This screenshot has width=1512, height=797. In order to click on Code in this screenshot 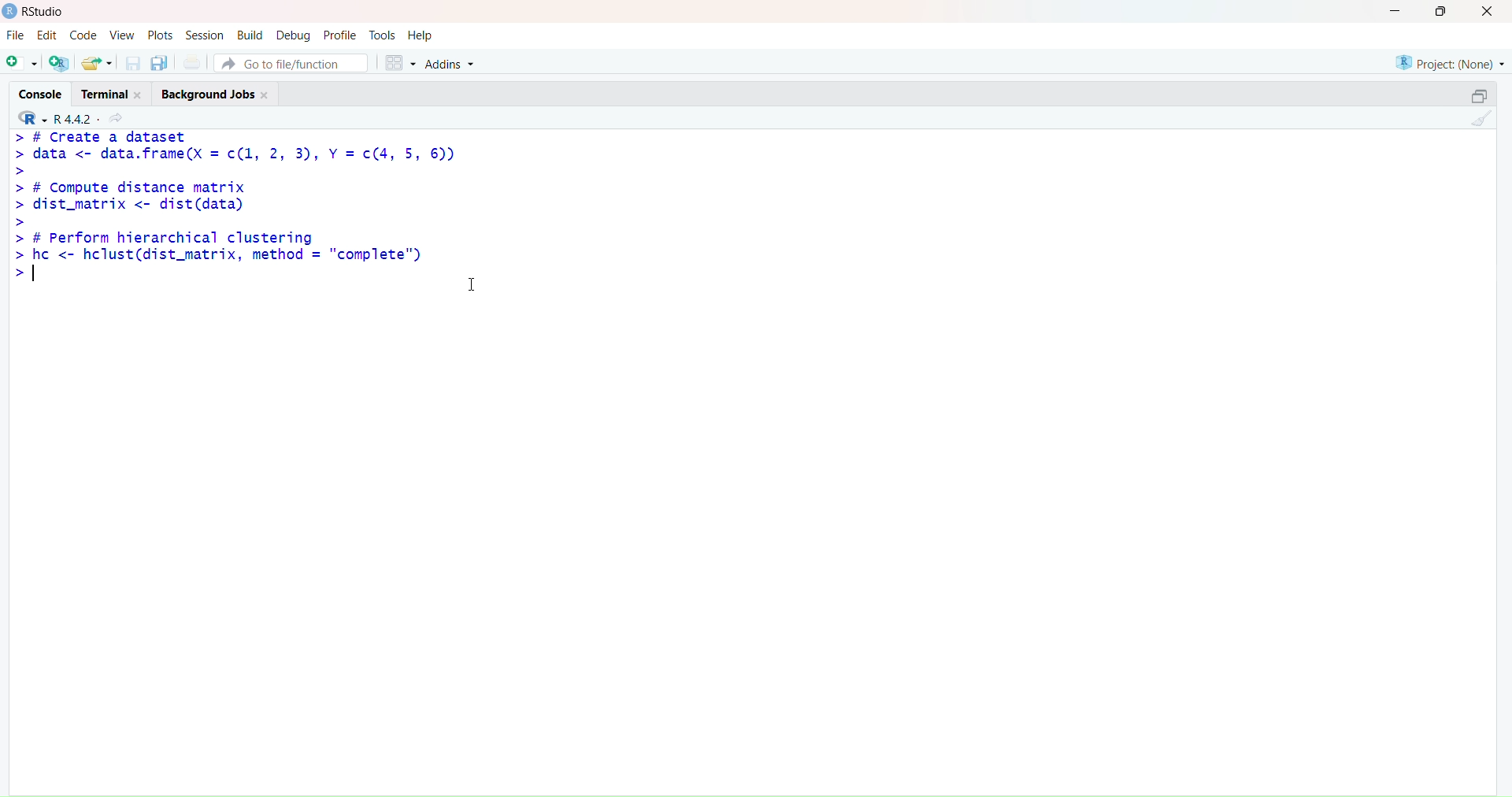, I will do `click(84, 36)`.